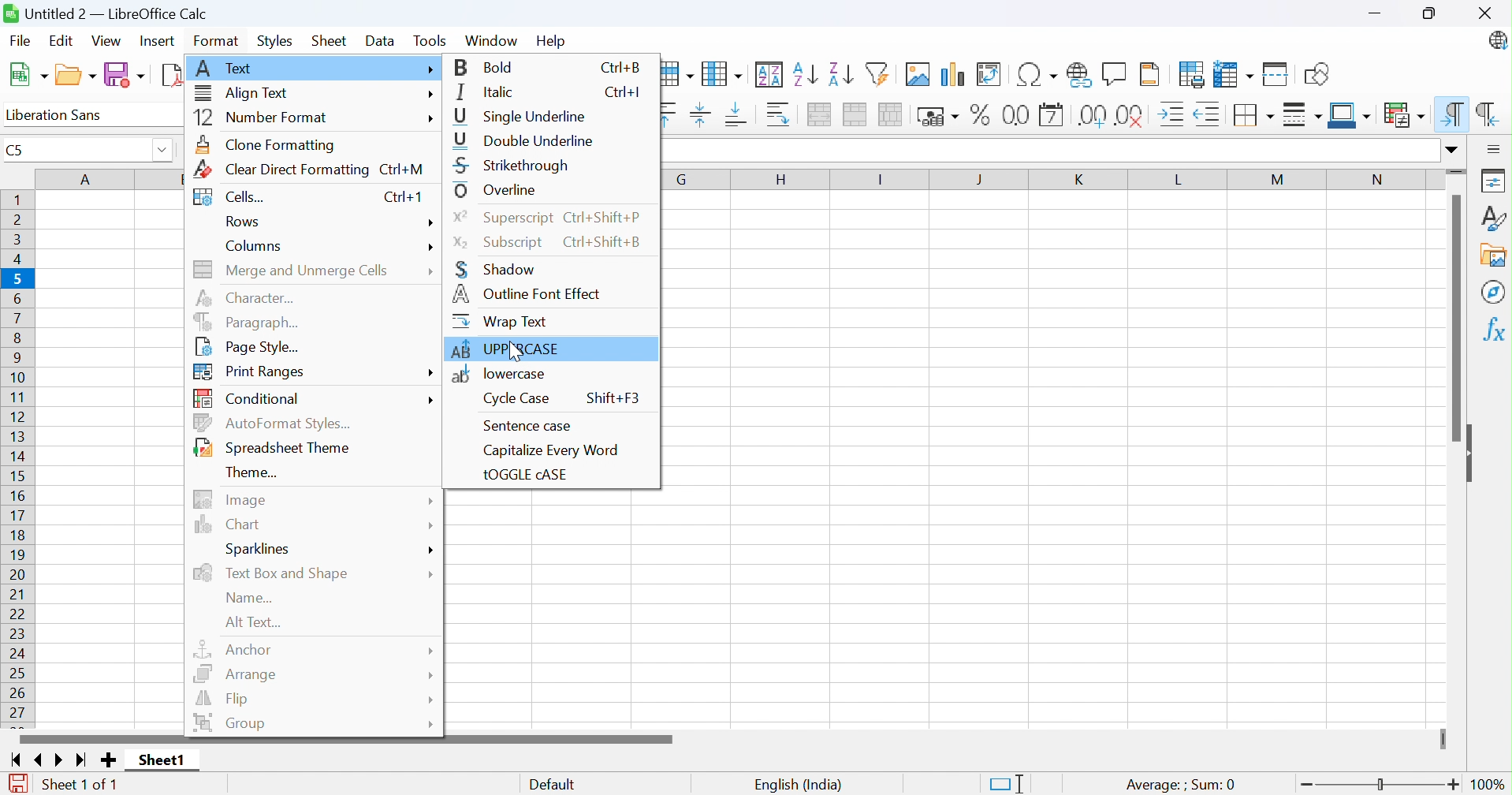  Describe the element at coordinates (84, 786) in the screenshot. I see `Sheet 1 of 1` at that location.